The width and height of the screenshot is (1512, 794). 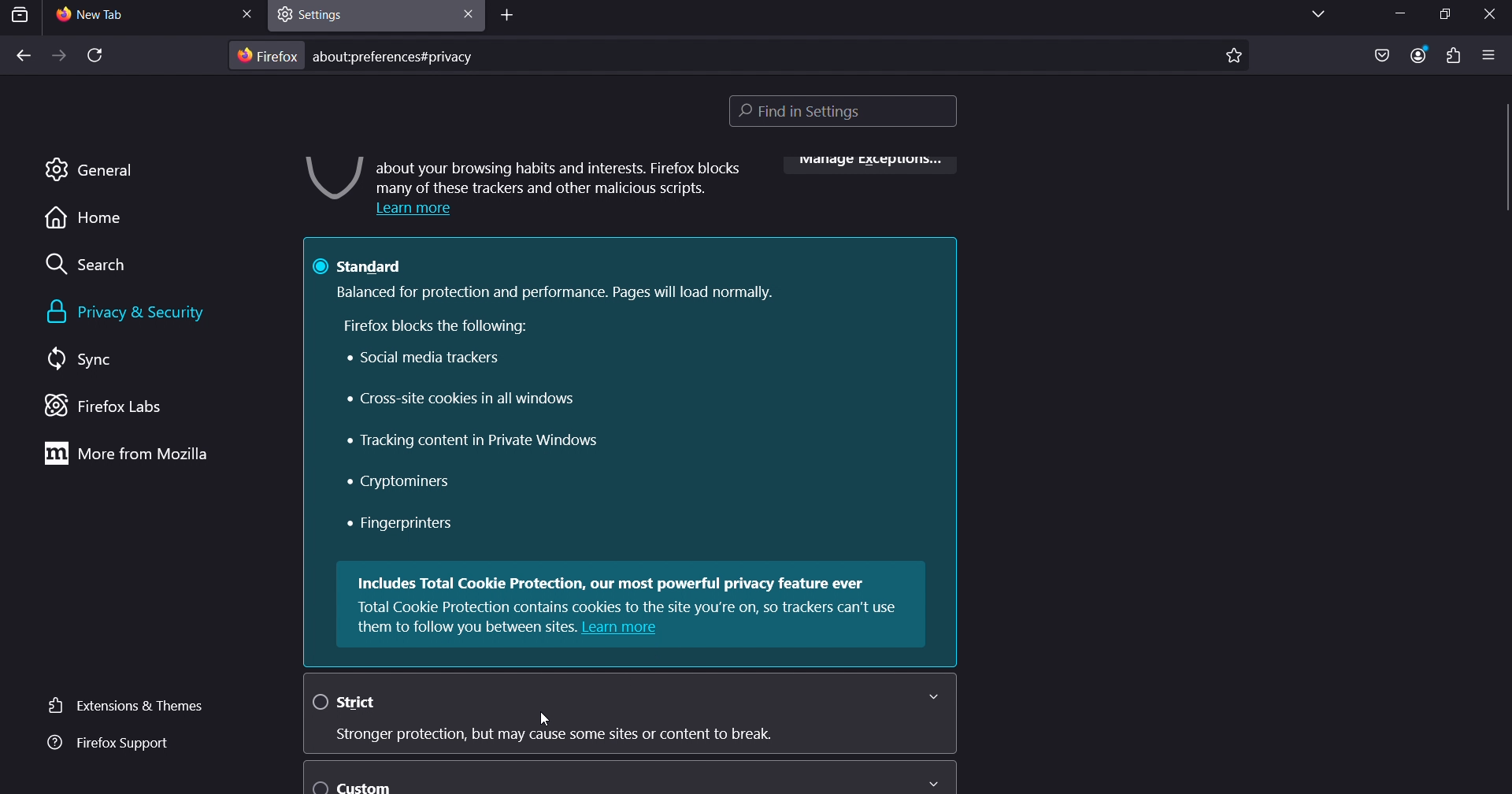 I want to click on about your browsing habits and interests. Firefox blocks
many of these trackers and other malicious scripts., so click(x=561, y=175).